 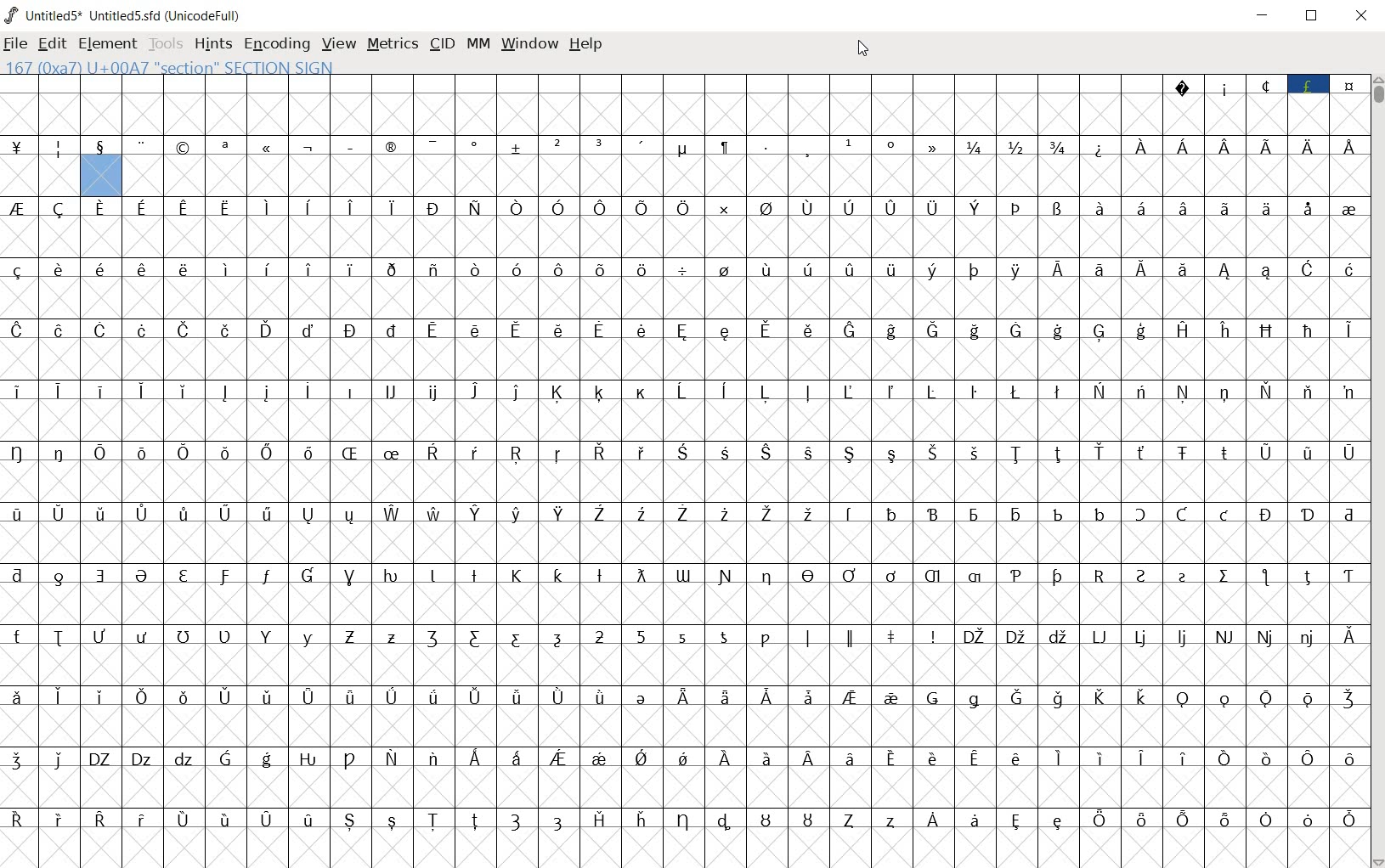 What do you see at coordinates (225, 67) in the screenshot?
I see `167 (0xA7) U+00A7 "SECTION" SECTION SIGN` at bounding box center [225, 67].